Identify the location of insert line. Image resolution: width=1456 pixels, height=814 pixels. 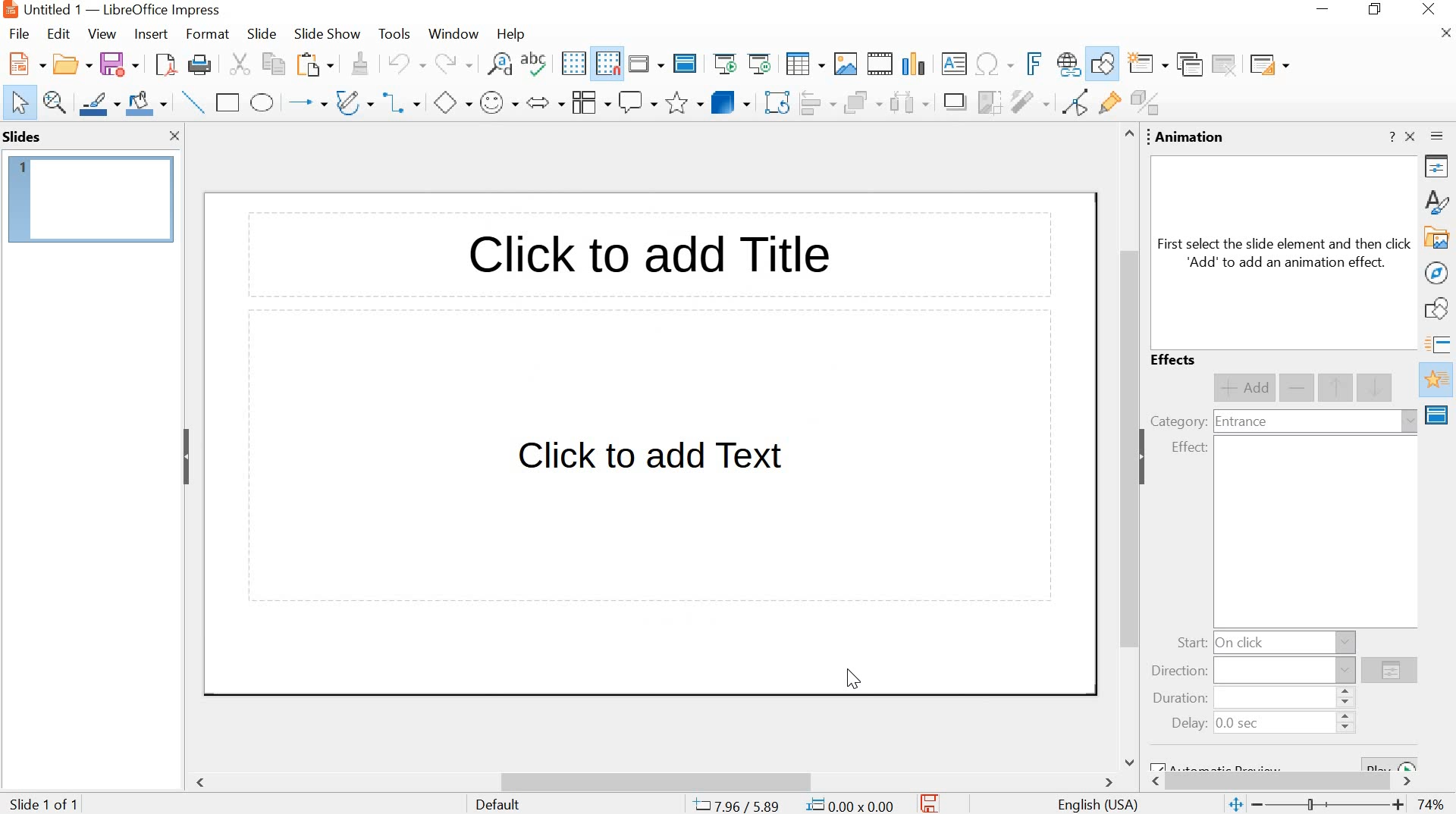
(193, 102).